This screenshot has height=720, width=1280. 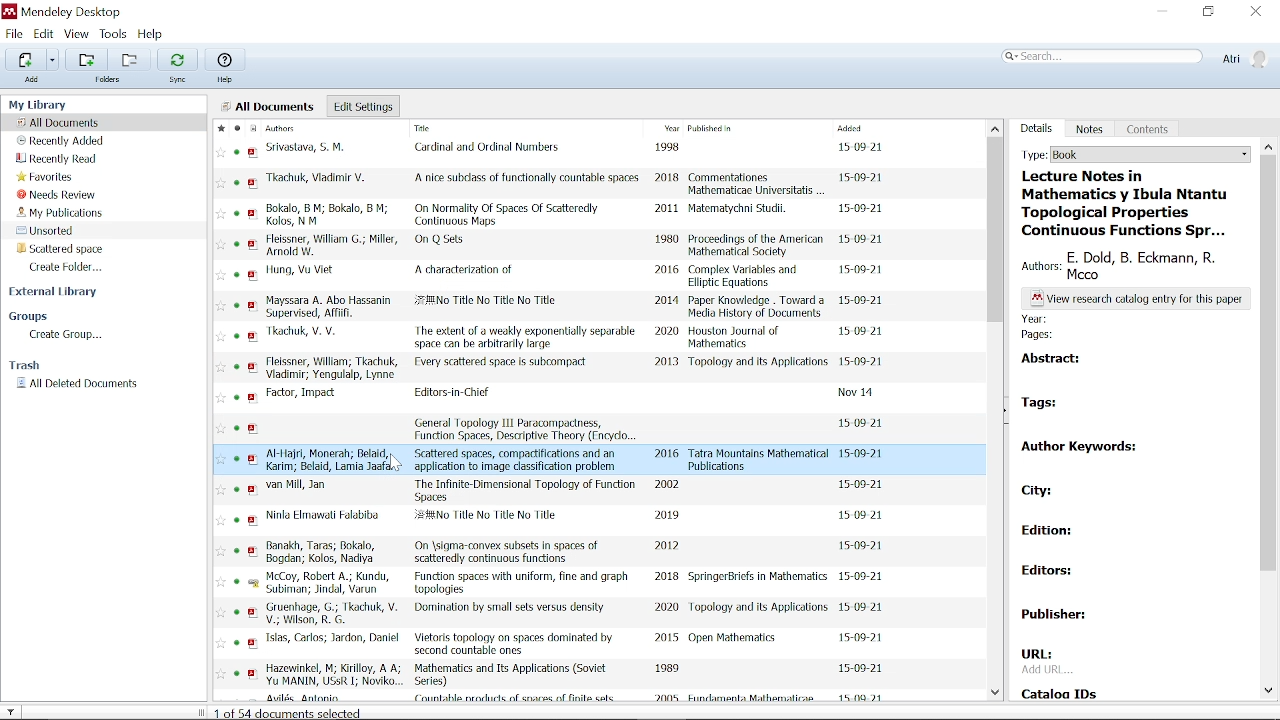 I want to click on Added , so click(x=867, y=128).